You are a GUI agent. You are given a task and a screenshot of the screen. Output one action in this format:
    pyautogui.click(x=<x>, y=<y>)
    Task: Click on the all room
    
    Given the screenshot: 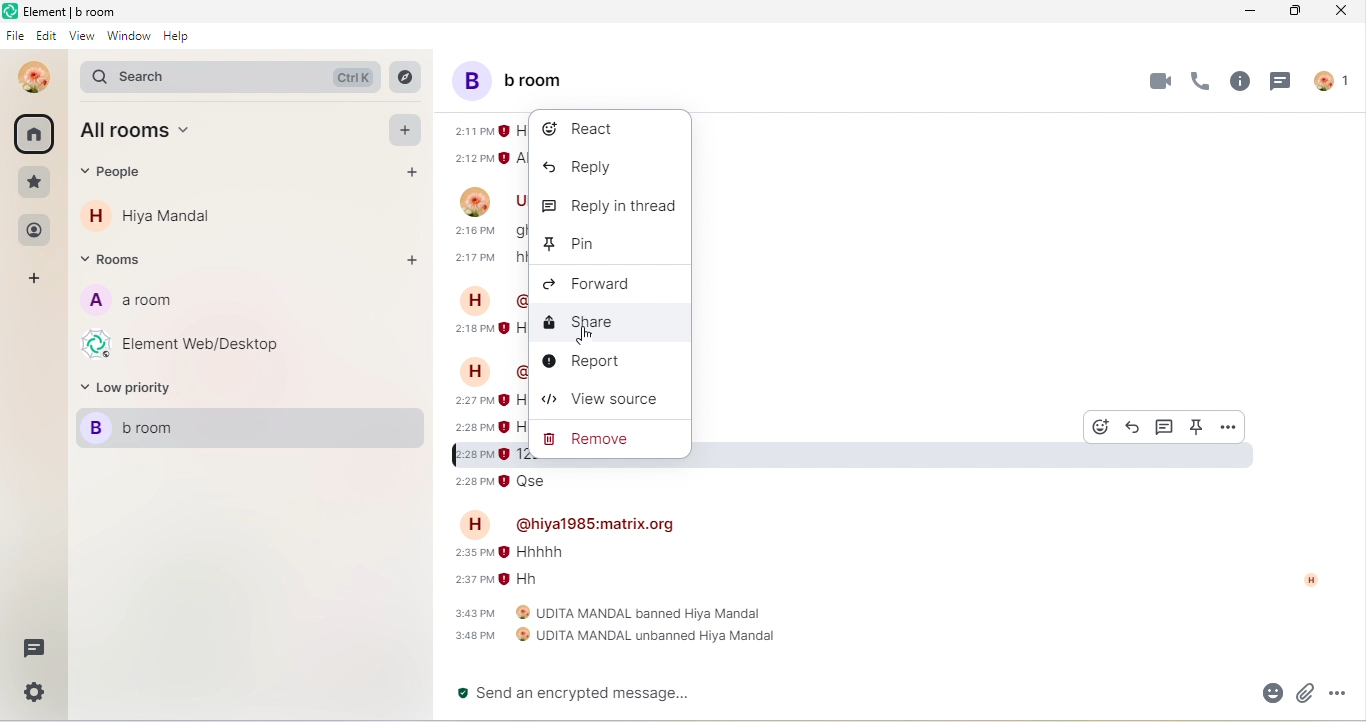 What is the action you would take?
    pyautogui.click(x=35, y=134)
    